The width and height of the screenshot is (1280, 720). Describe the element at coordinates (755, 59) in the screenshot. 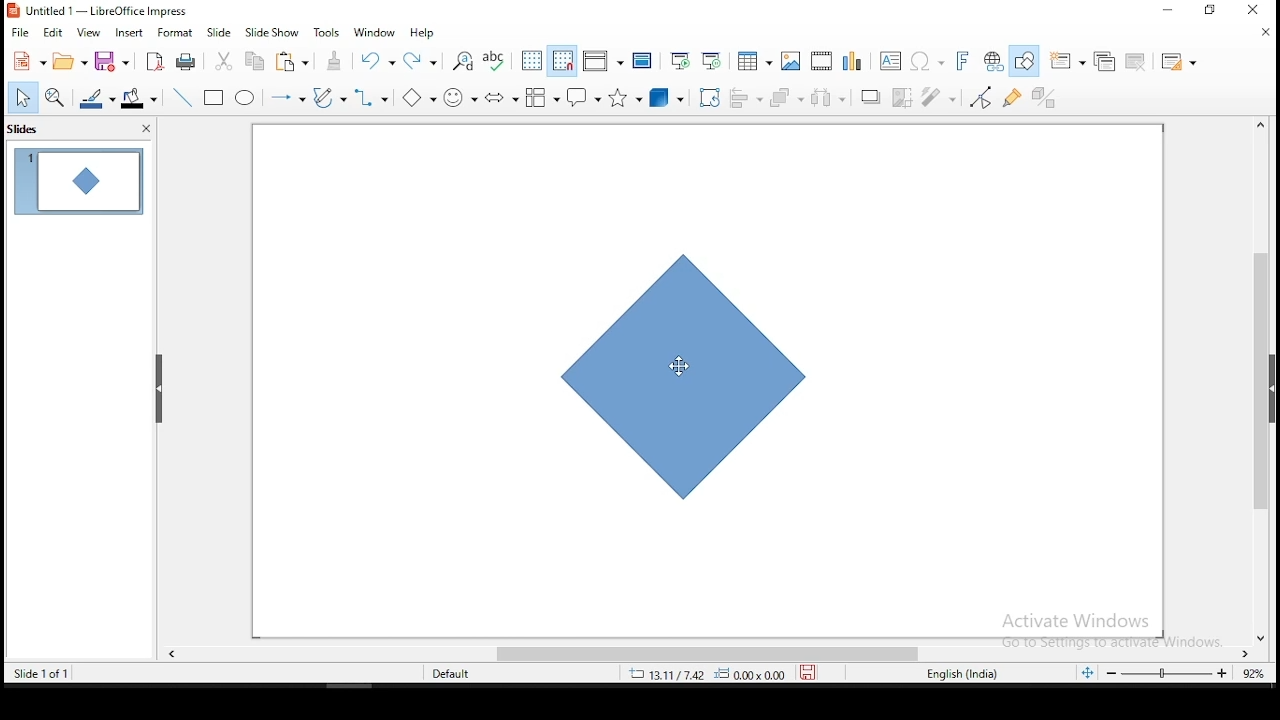

I see `table` at that location.